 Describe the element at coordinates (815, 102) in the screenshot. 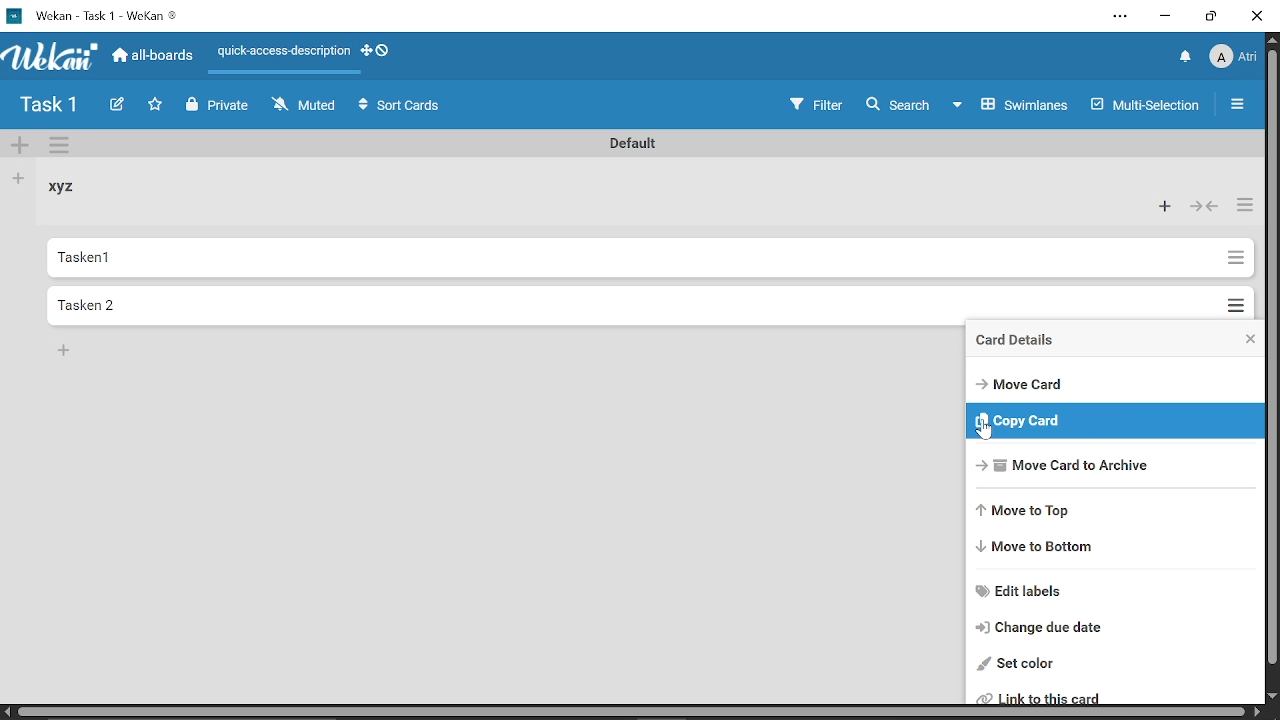

I see `Filter` at that location.